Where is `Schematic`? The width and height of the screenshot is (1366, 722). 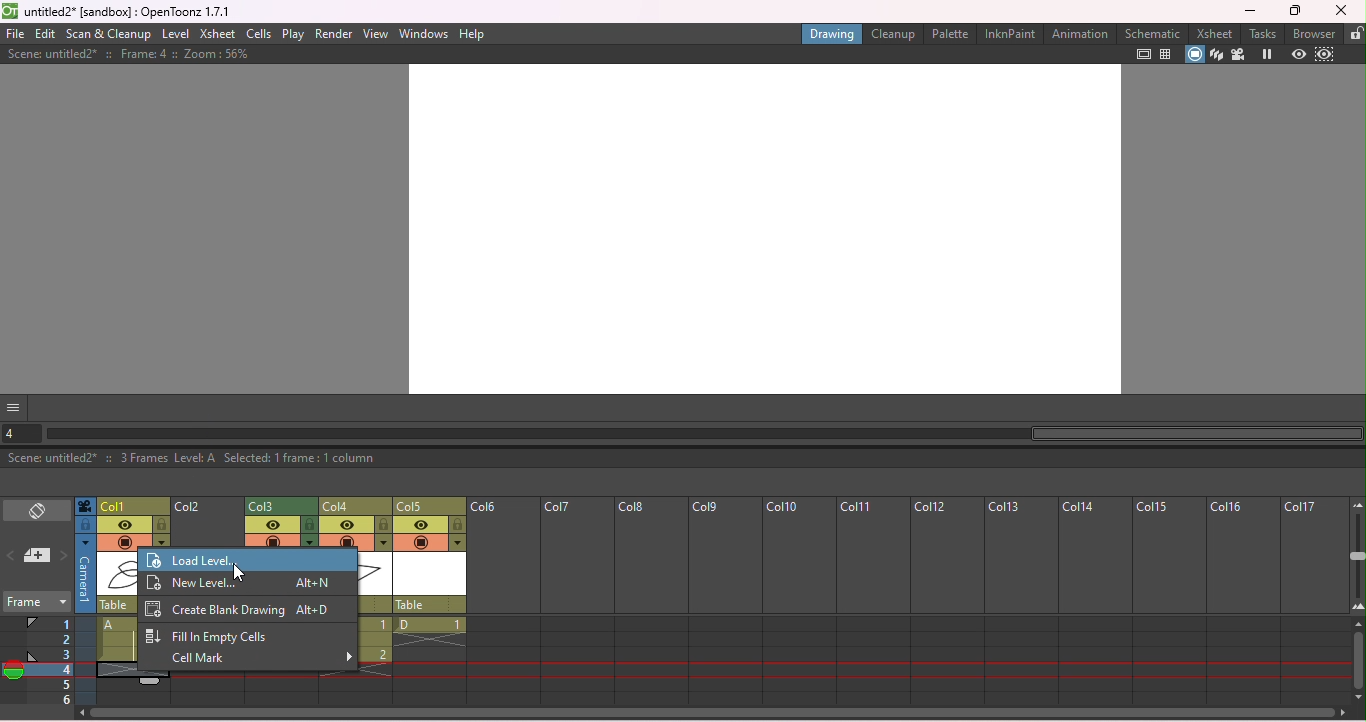 Schematic is located at coordinates (1153, 33).